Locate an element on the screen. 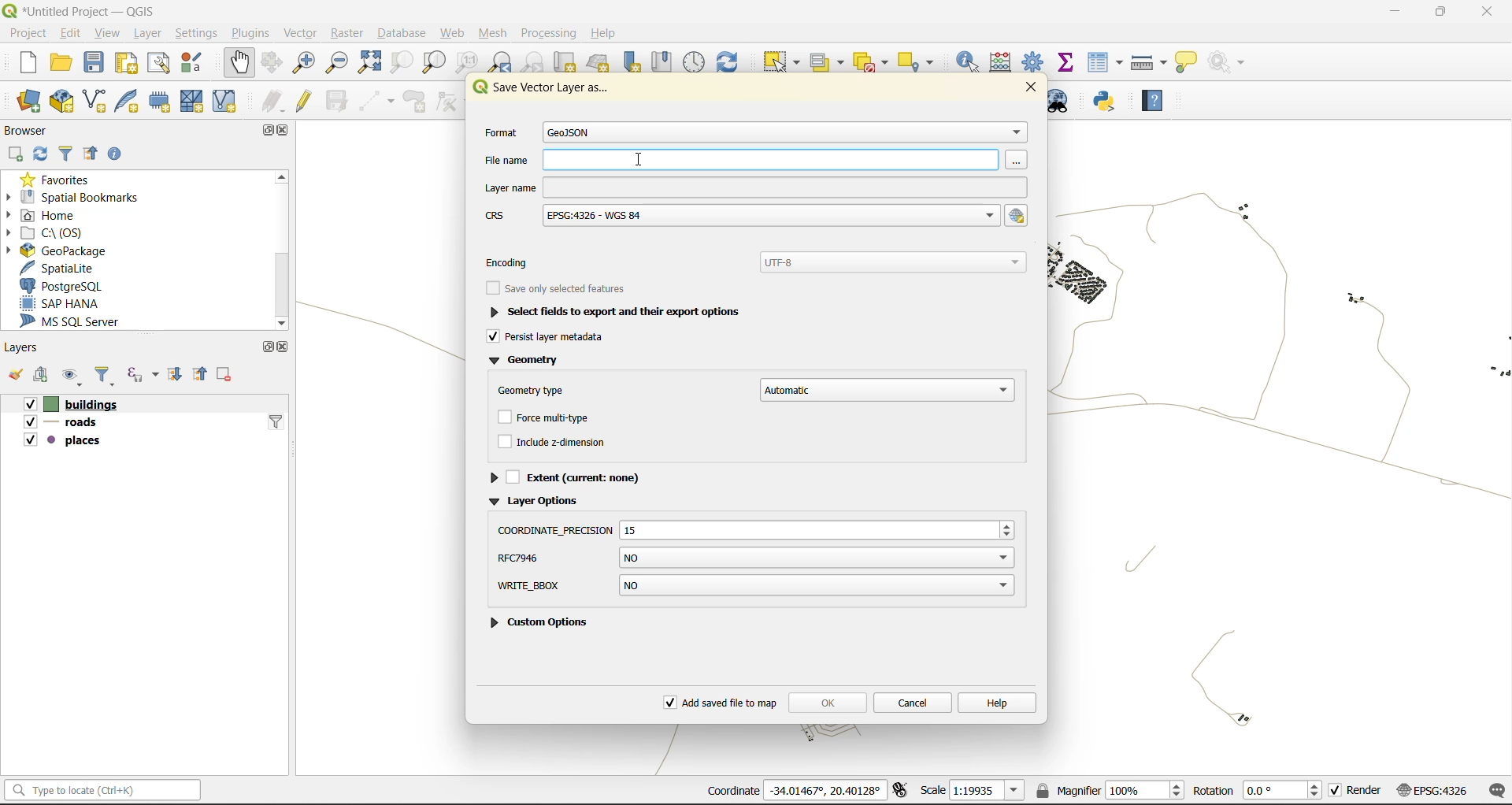  collapse all is located at coordinates (91, 152).